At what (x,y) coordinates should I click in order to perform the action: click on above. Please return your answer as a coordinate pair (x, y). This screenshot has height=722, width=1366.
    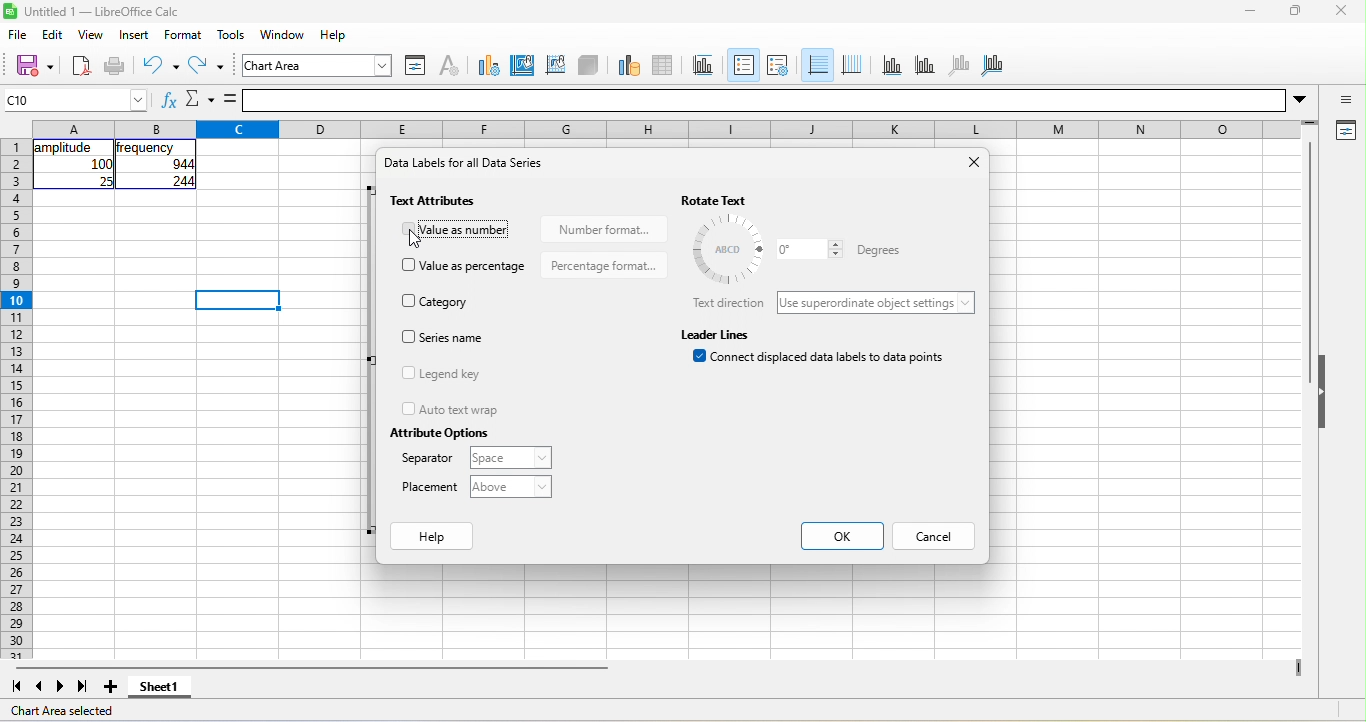
    Looking at the image, I should click on (510, 487).